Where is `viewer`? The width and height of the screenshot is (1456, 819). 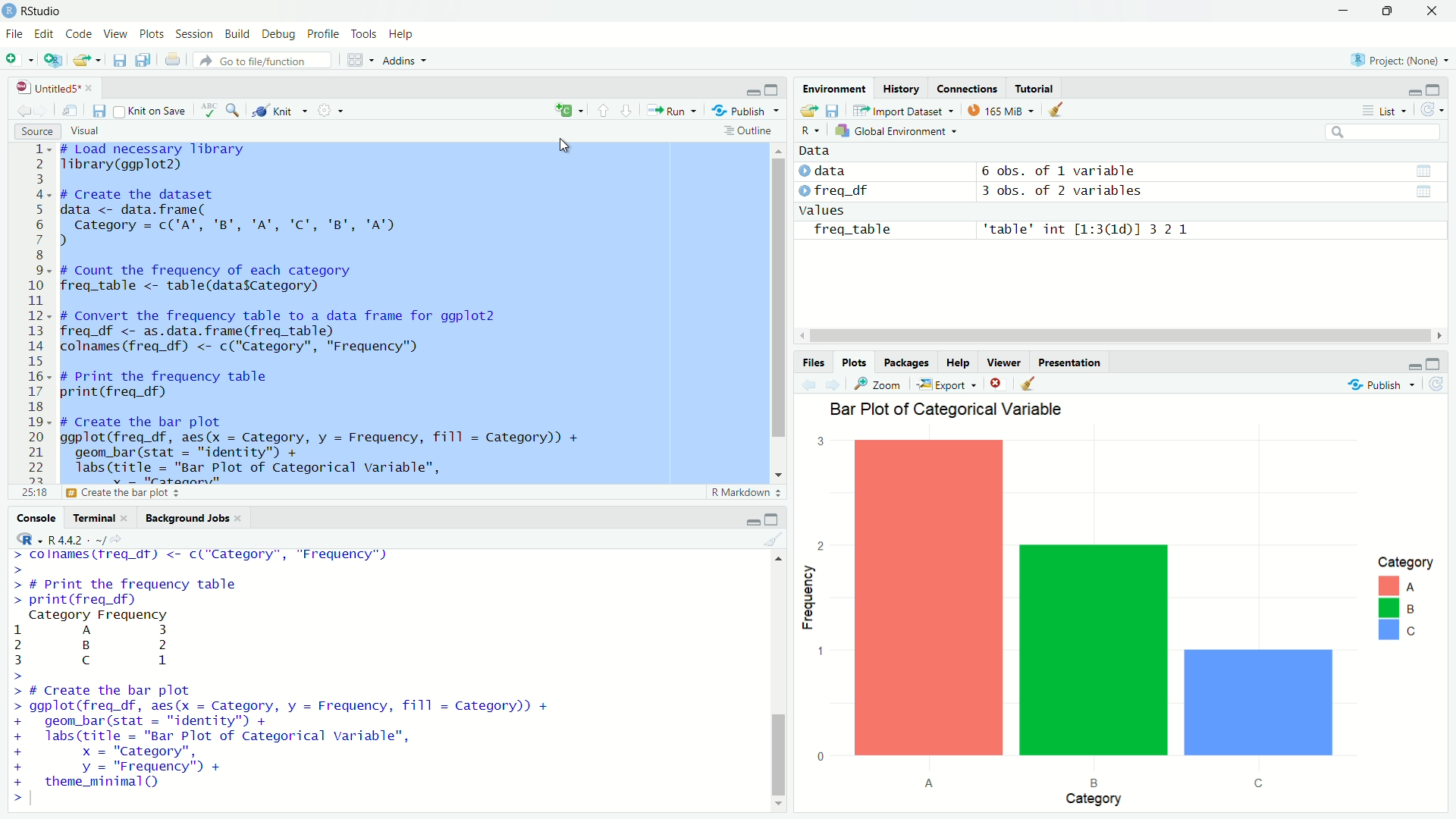
viewer is located at coordinates (1005, 364).